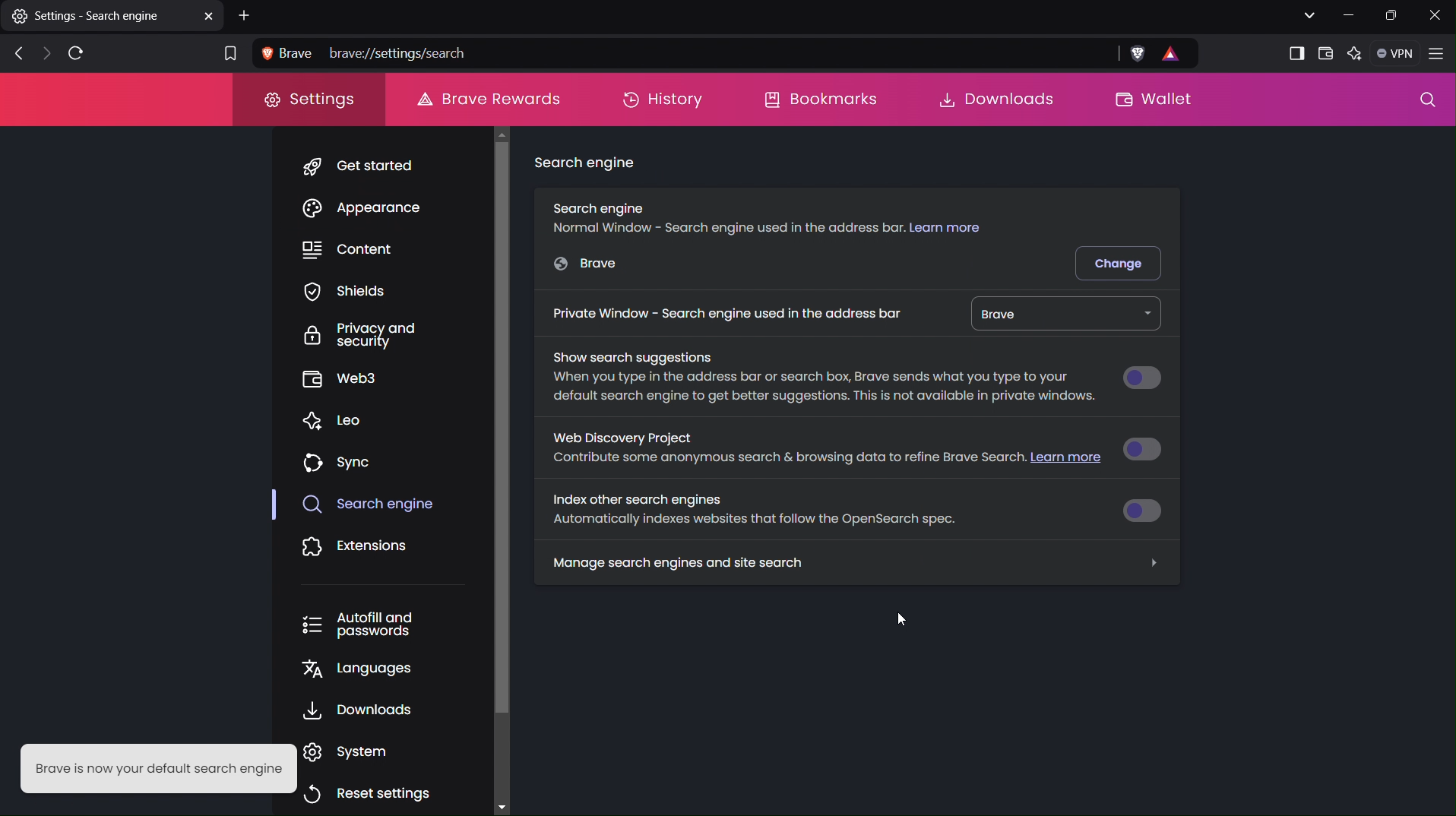 The width and height of the screenshot is (1456, 816). I want to click on Application Menu, so click(1439, 55).